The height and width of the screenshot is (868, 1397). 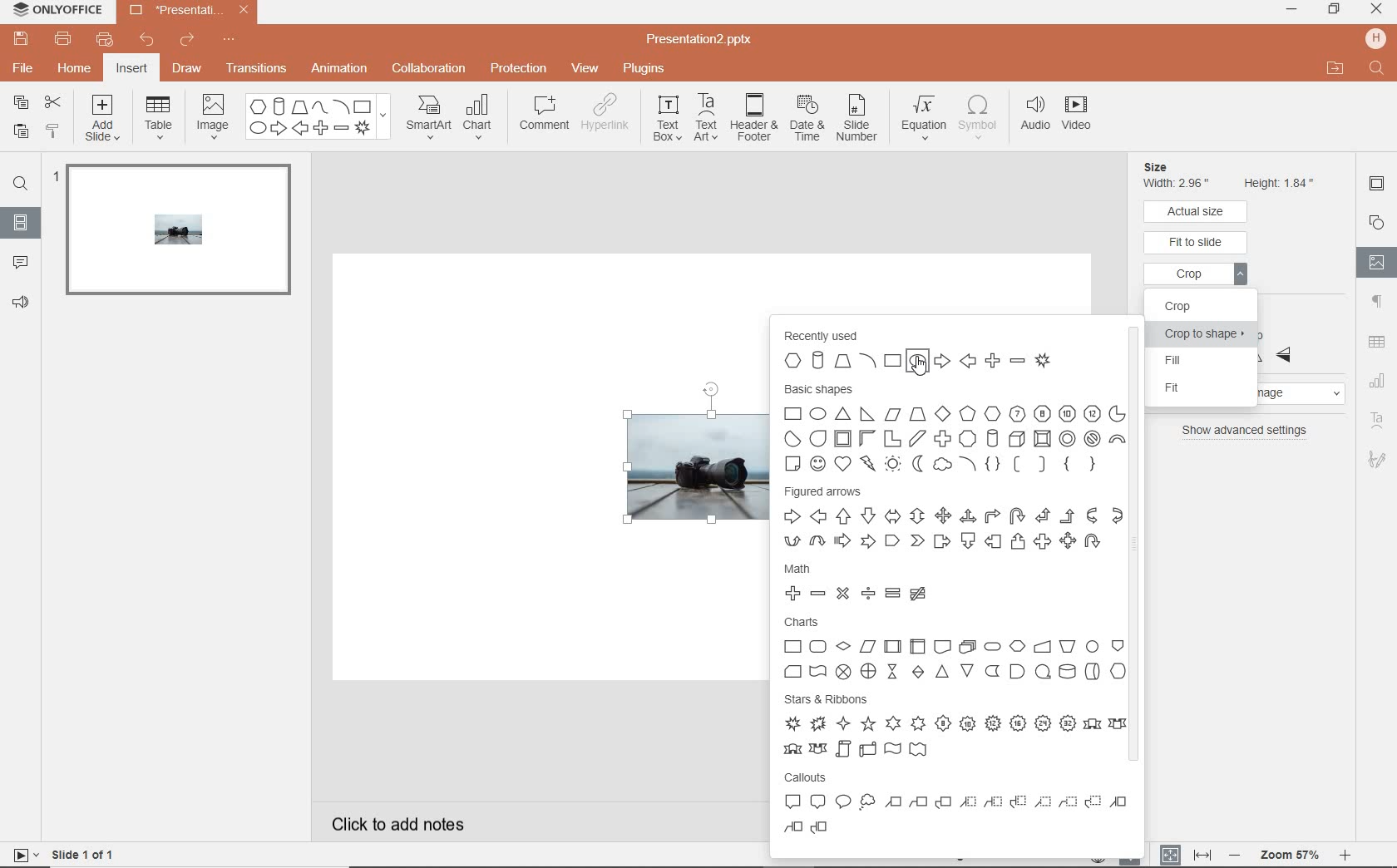 I want to click on videos, so click(x=1076, y=116).